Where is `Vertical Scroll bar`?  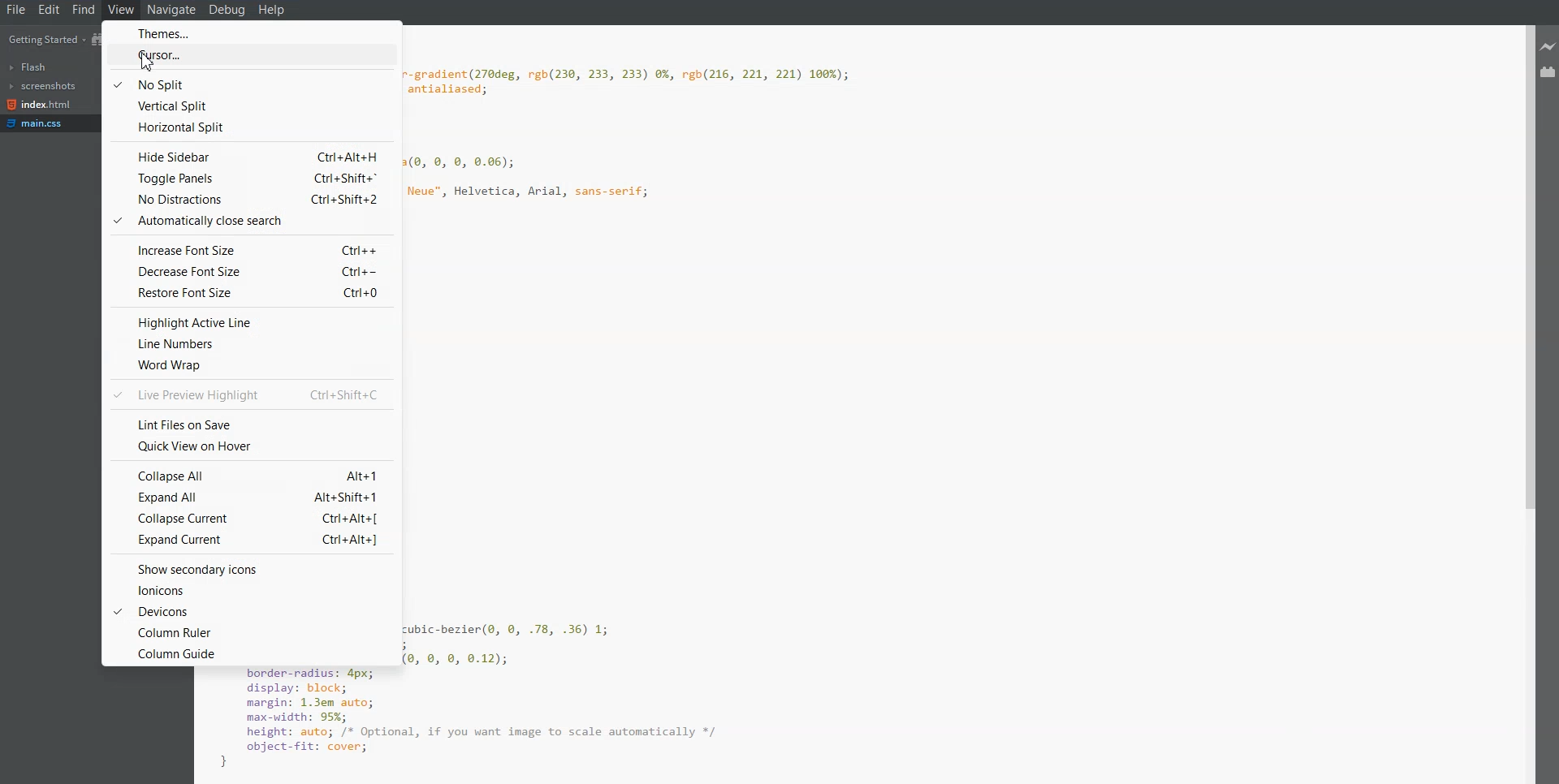
Vertical Scroll bar is located at coordinates (1524, 404).